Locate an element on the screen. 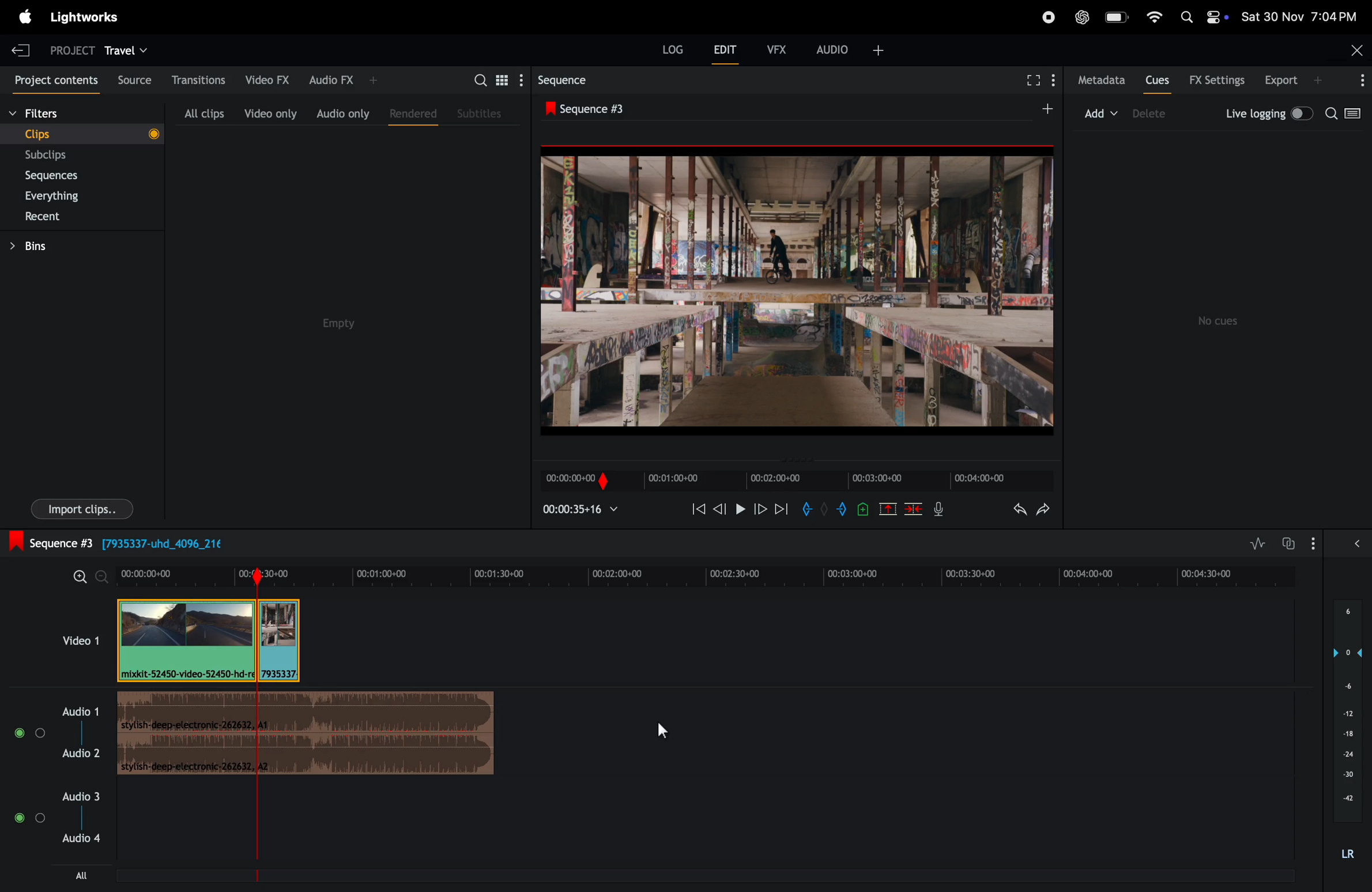 The height and width of the screenshot is (892, 1372). chatgpt is located at coordinates (1083, 16).